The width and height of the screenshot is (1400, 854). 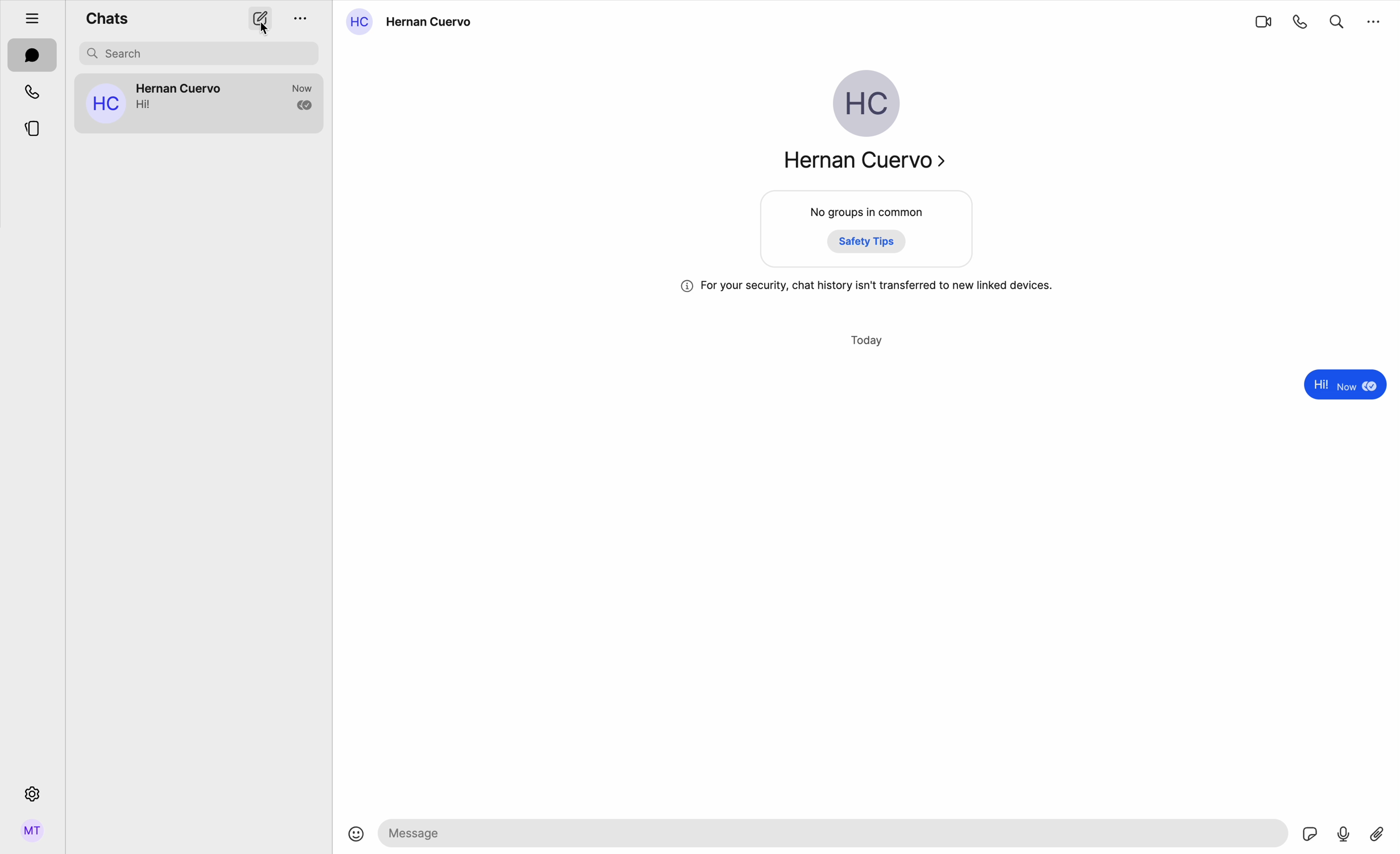 I want to click on search bar, so click(x=198, y=51).